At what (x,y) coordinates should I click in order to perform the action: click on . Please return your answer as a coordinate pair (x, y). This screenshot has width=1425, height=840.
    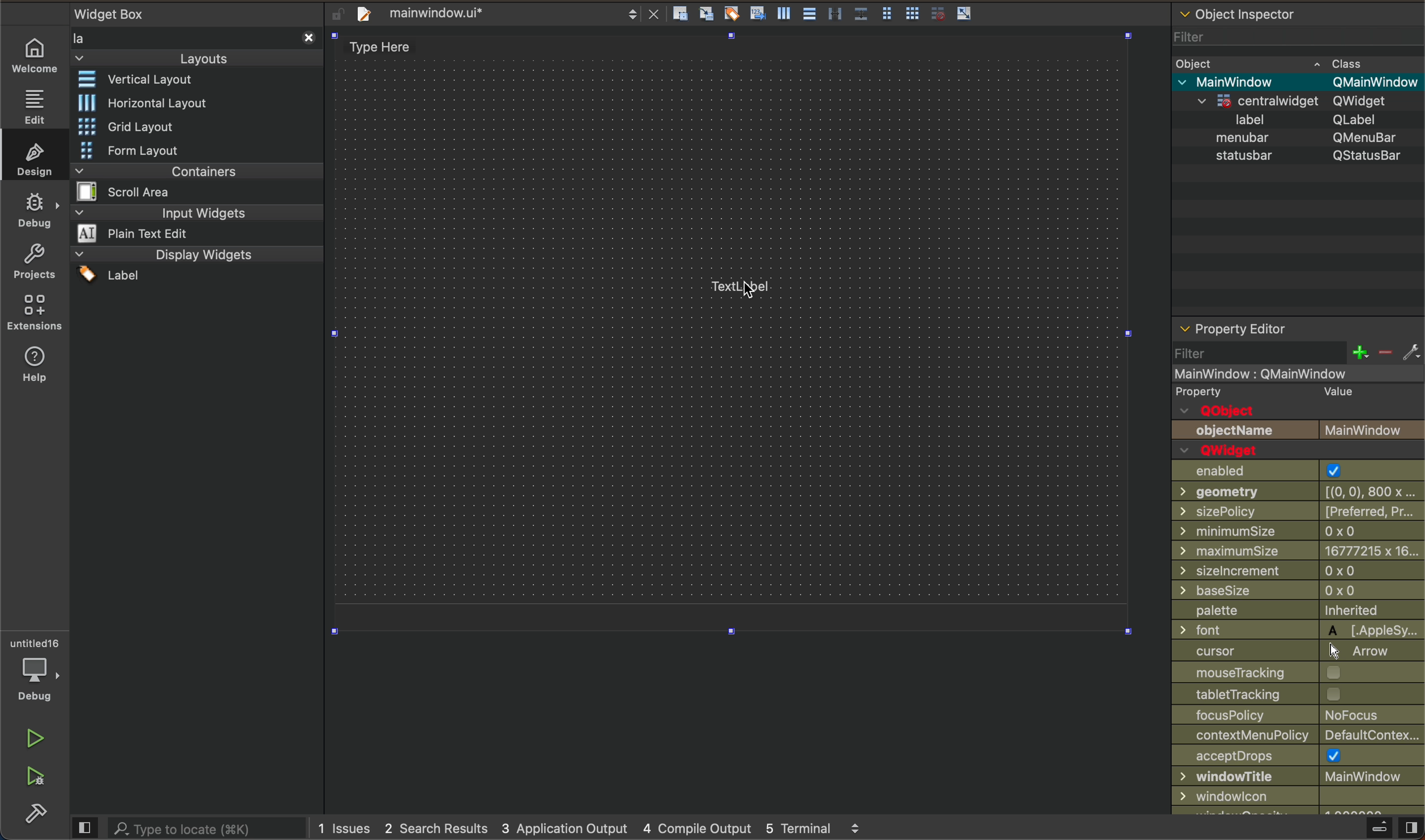
    Looking at the image, I should click on (1299, 778).